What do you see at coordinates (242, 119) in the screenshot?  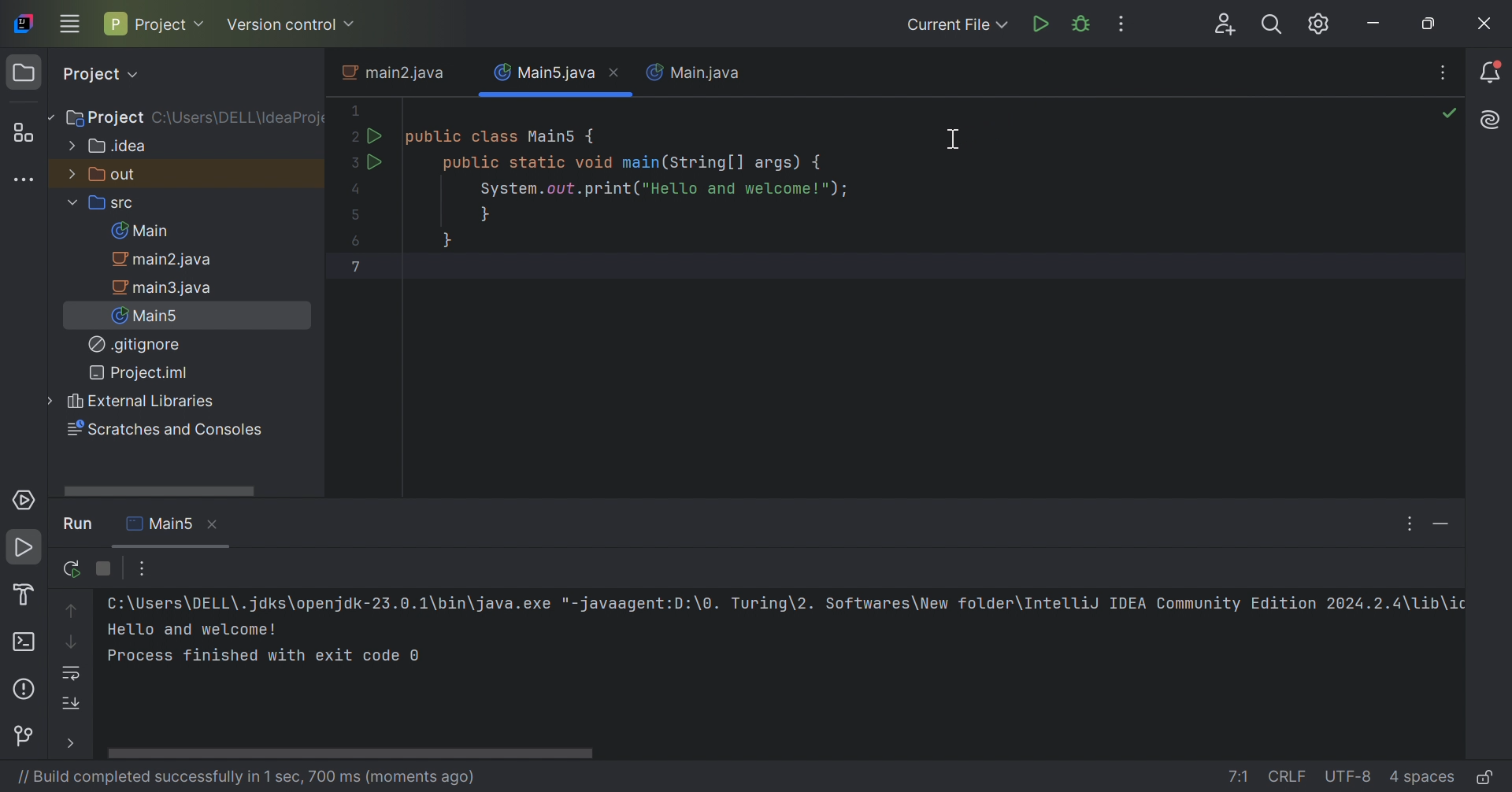 I see `C:\Users\DELL\IdeaProject` at bounding box center [242, 119].